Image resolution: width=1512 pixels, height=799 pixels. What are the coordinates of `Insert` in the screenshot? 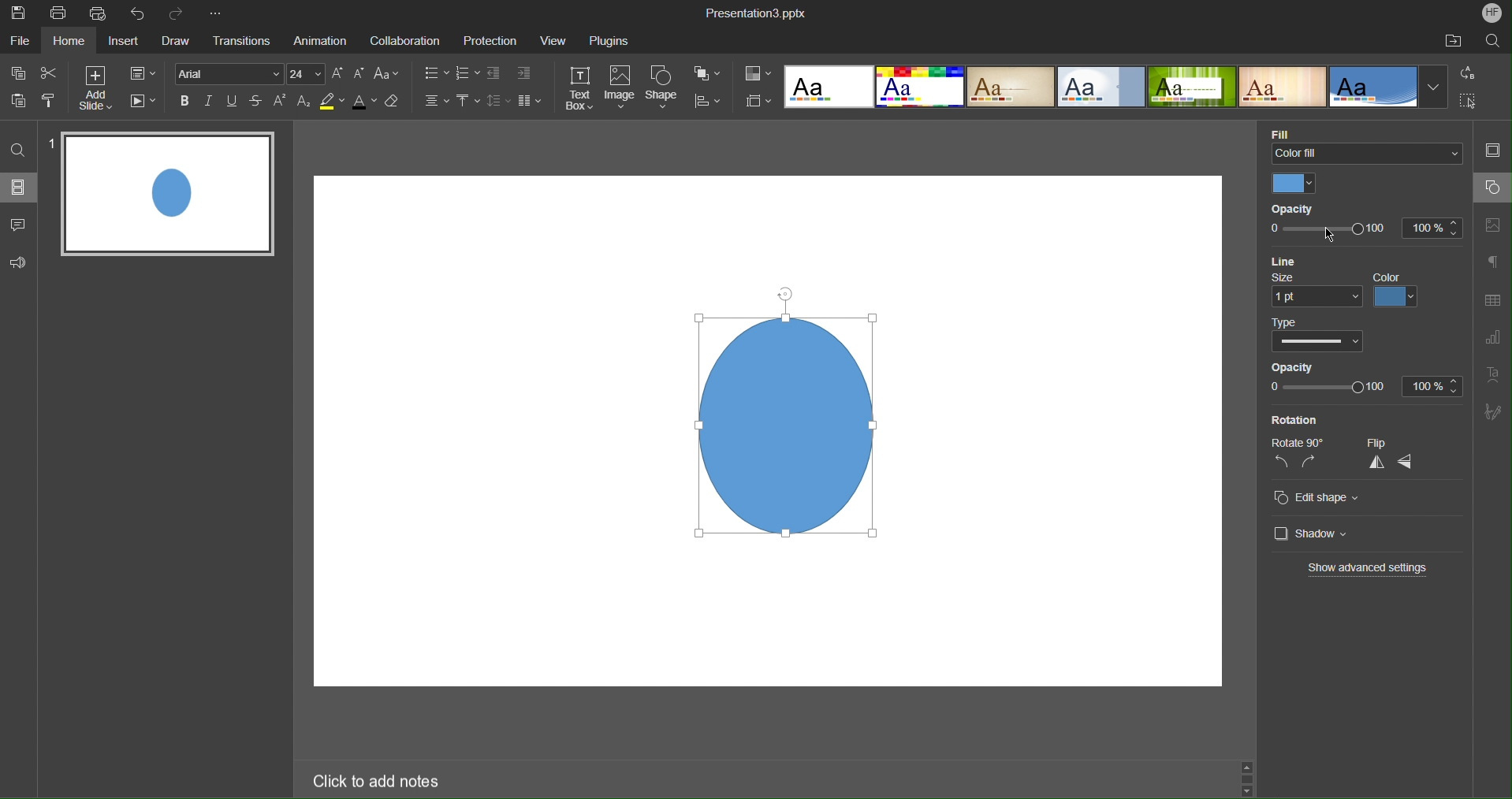 It's located at (125, 43).